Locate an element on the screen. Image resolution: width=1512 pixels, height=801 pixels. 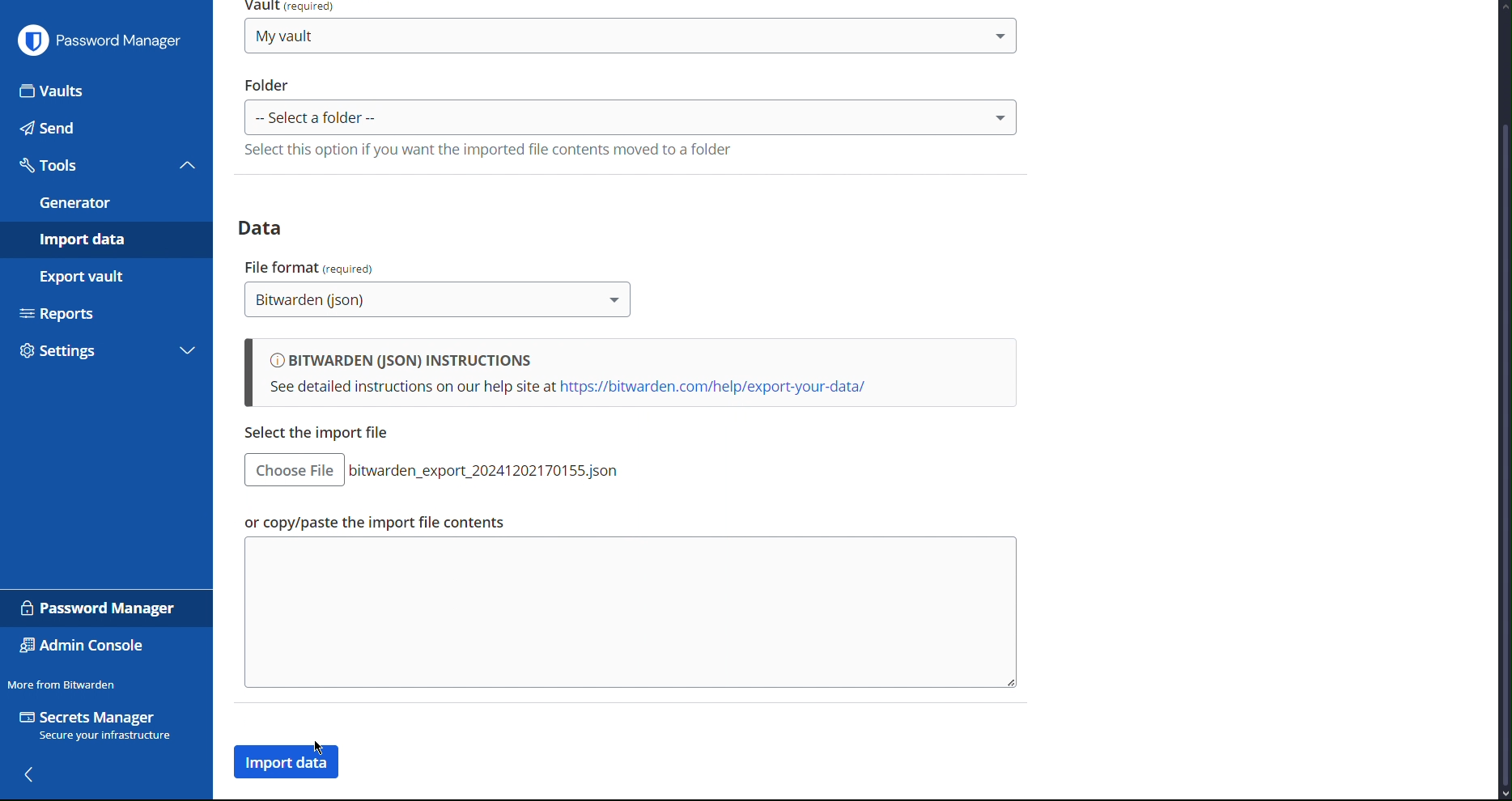
Move from Bitwarden is located at coordinates (62, 684).